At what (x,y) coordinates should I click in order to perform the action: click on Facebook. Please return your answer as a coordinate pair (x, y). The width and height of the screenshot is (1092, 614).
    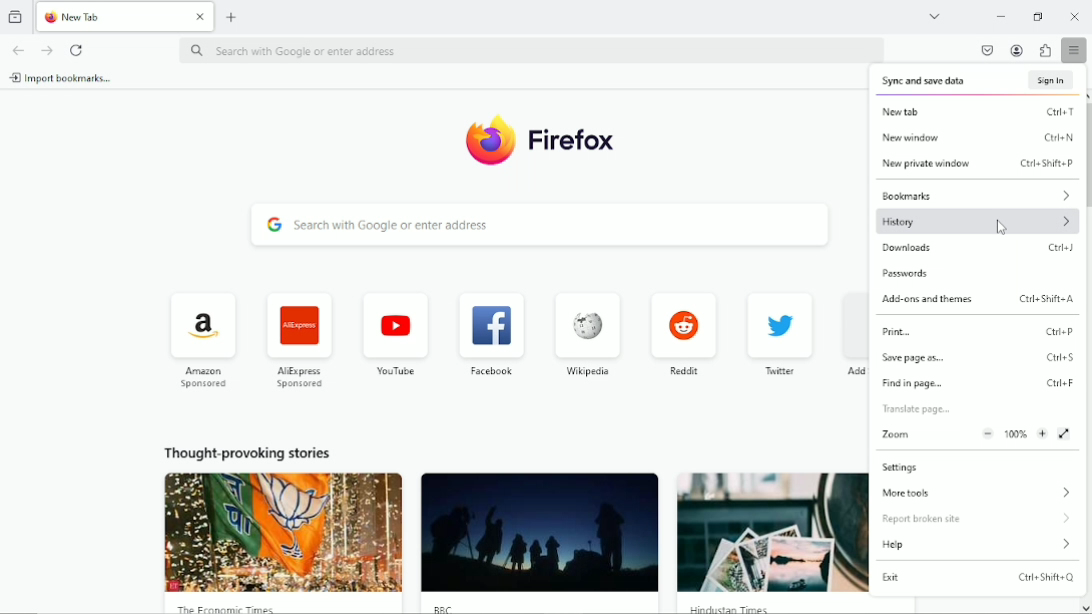
    Looking at the image, I should click on (491, 331).